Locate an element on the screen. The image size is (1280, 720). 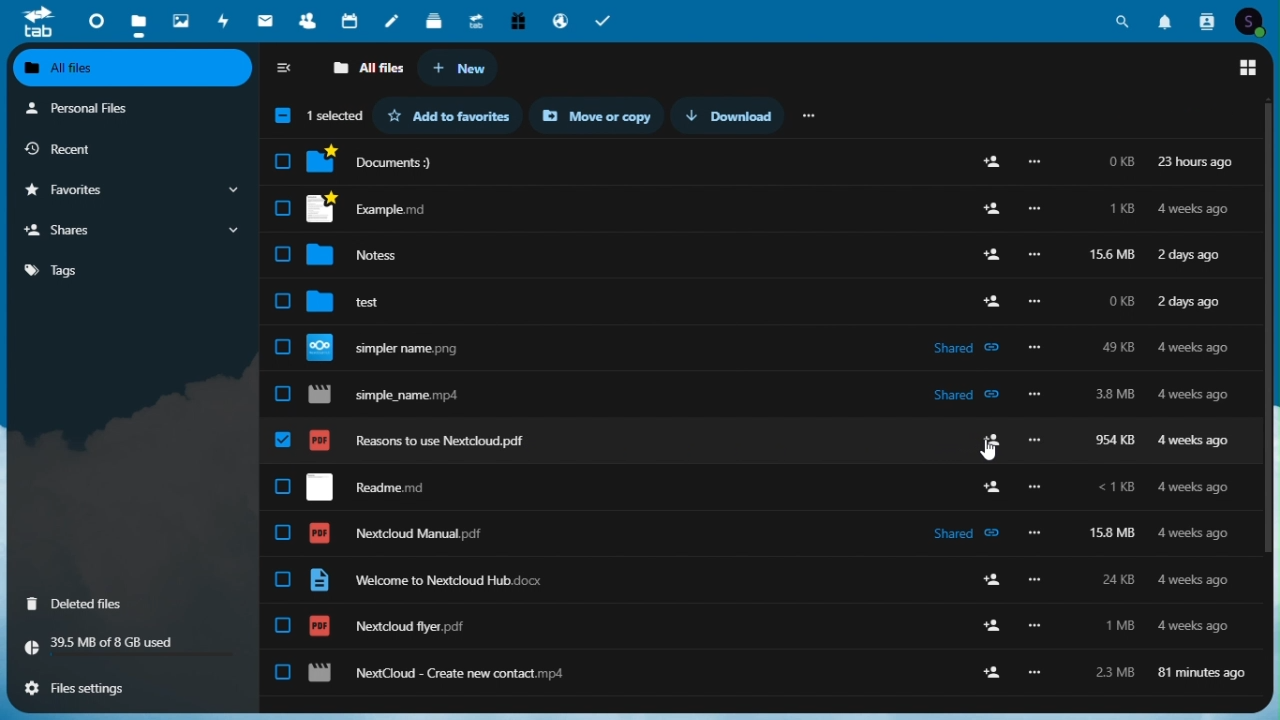
welcome to nextcloud hub.docx is located at coordinates (426, 581).